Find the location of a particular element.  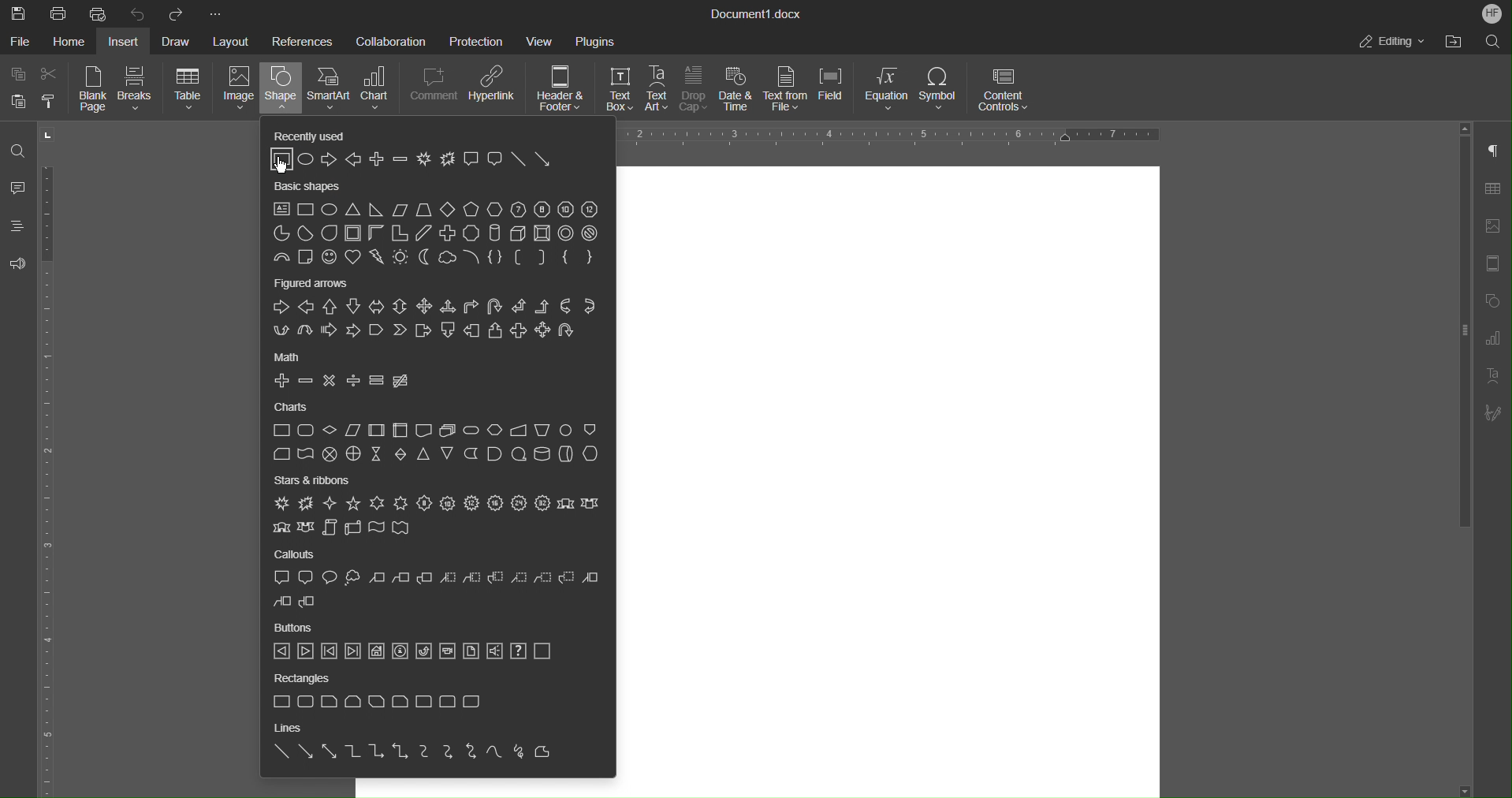

Cut is located at coordinates (54, 74).